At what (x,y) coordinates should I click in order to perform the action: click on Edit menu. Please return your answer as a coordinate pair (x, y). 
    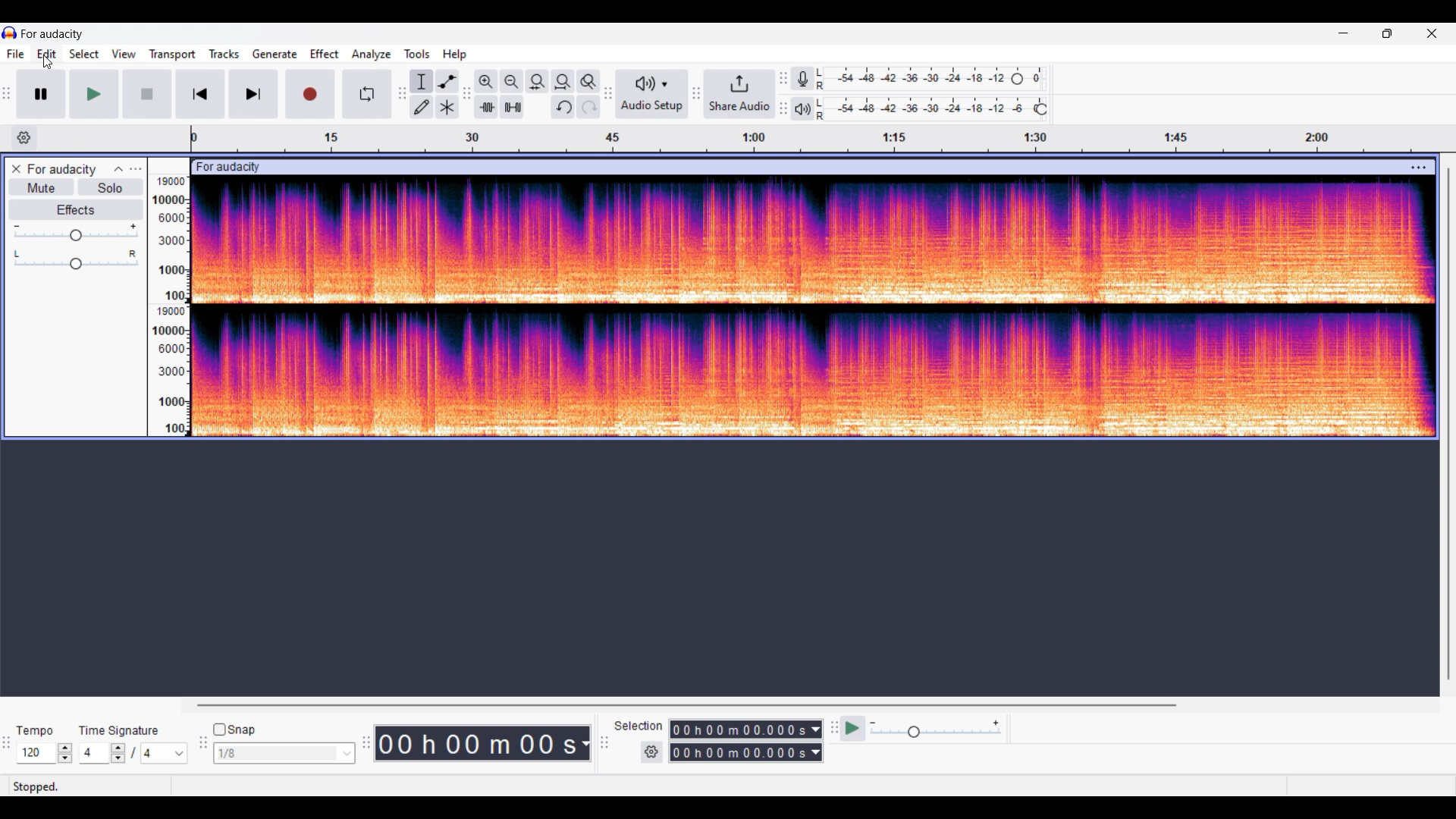
    Looking at the image, I should click on (47, 54).